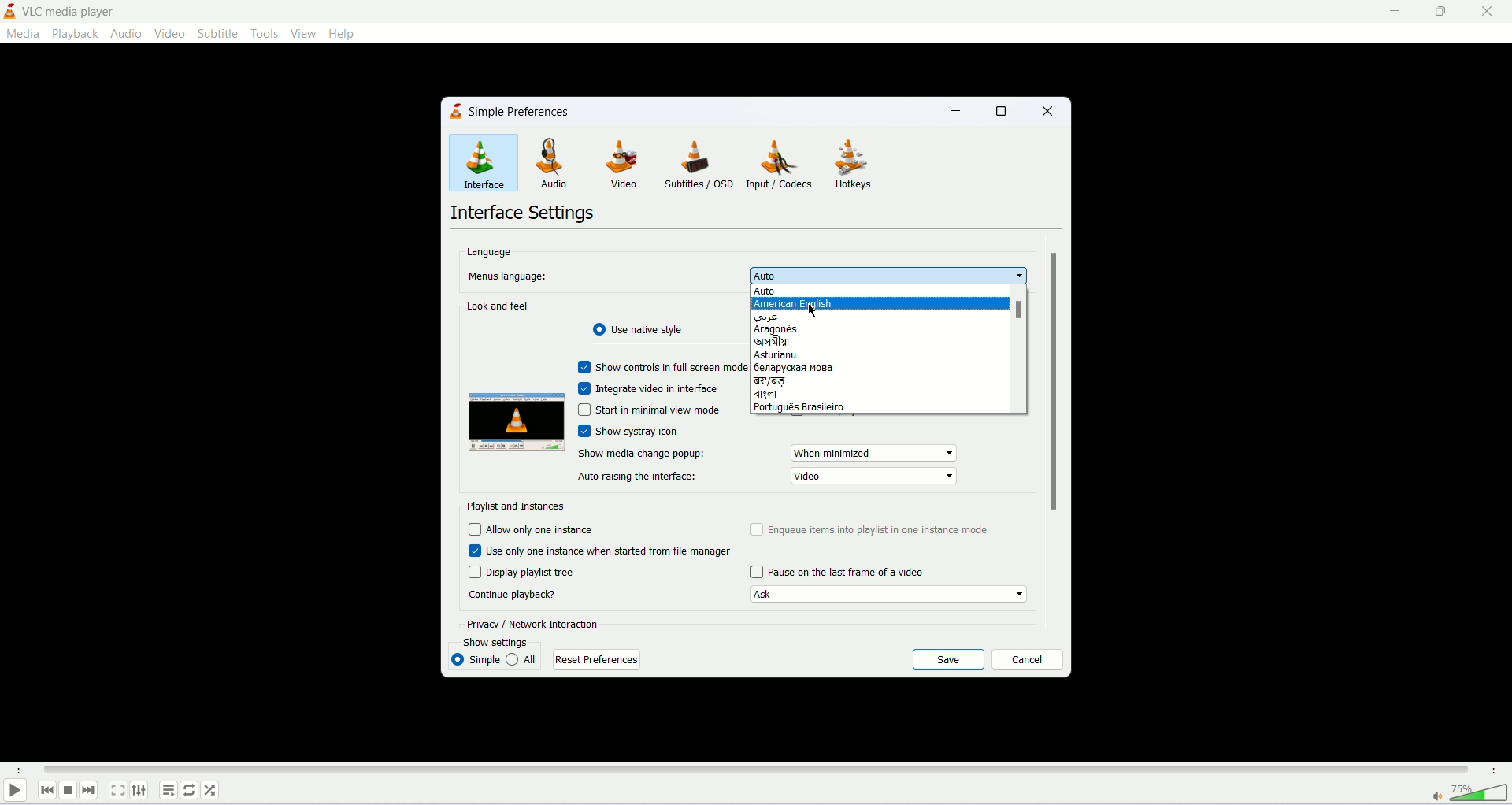 Image resolution: width=1512 pixels, height=805 pixels. Describe the element at coordinates (23, 33) in the screenshot. I see `media` at that location.